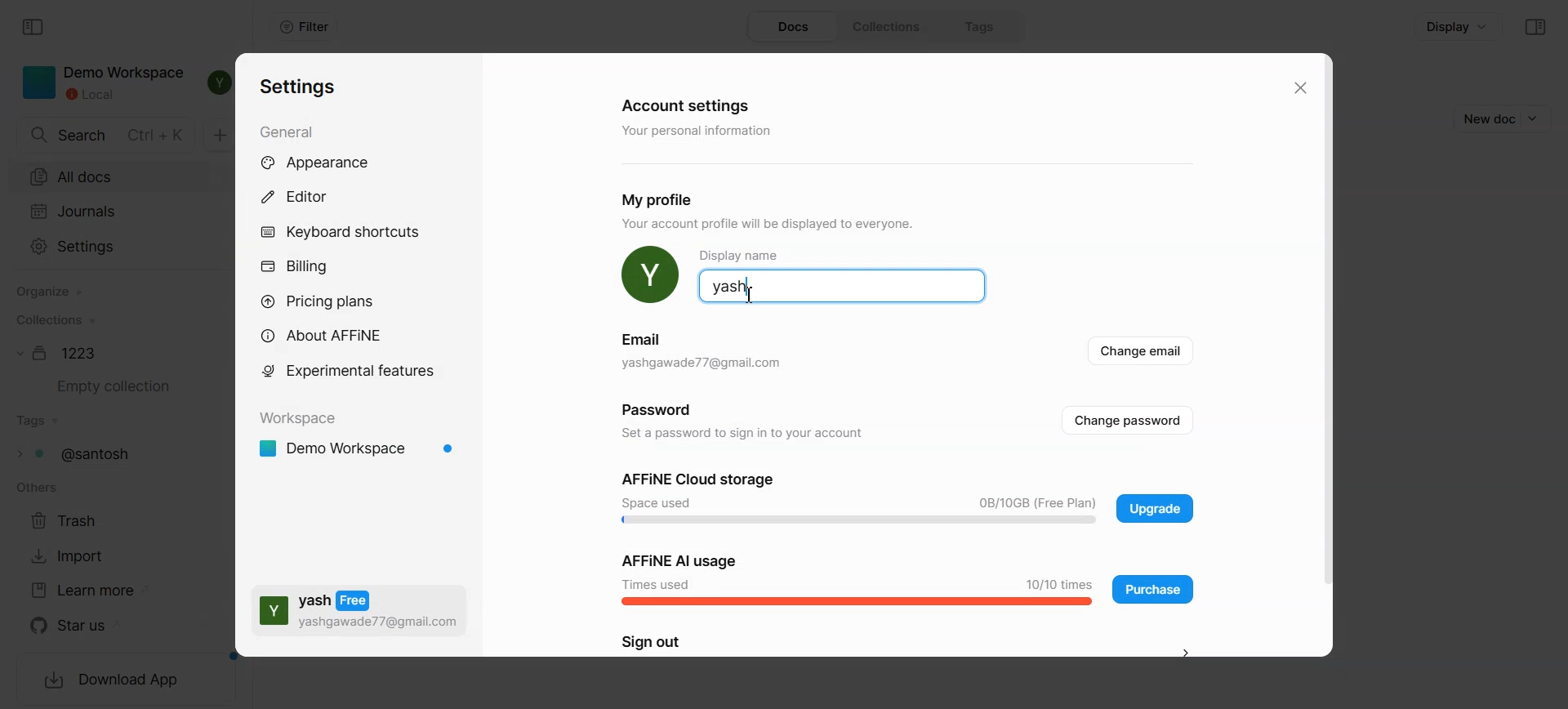 This screenshot has height=709, width=1568. What do you see at coordinates (109, 386) in the screenshot?
I see `Empty collection` at bounding box center [109, 386].